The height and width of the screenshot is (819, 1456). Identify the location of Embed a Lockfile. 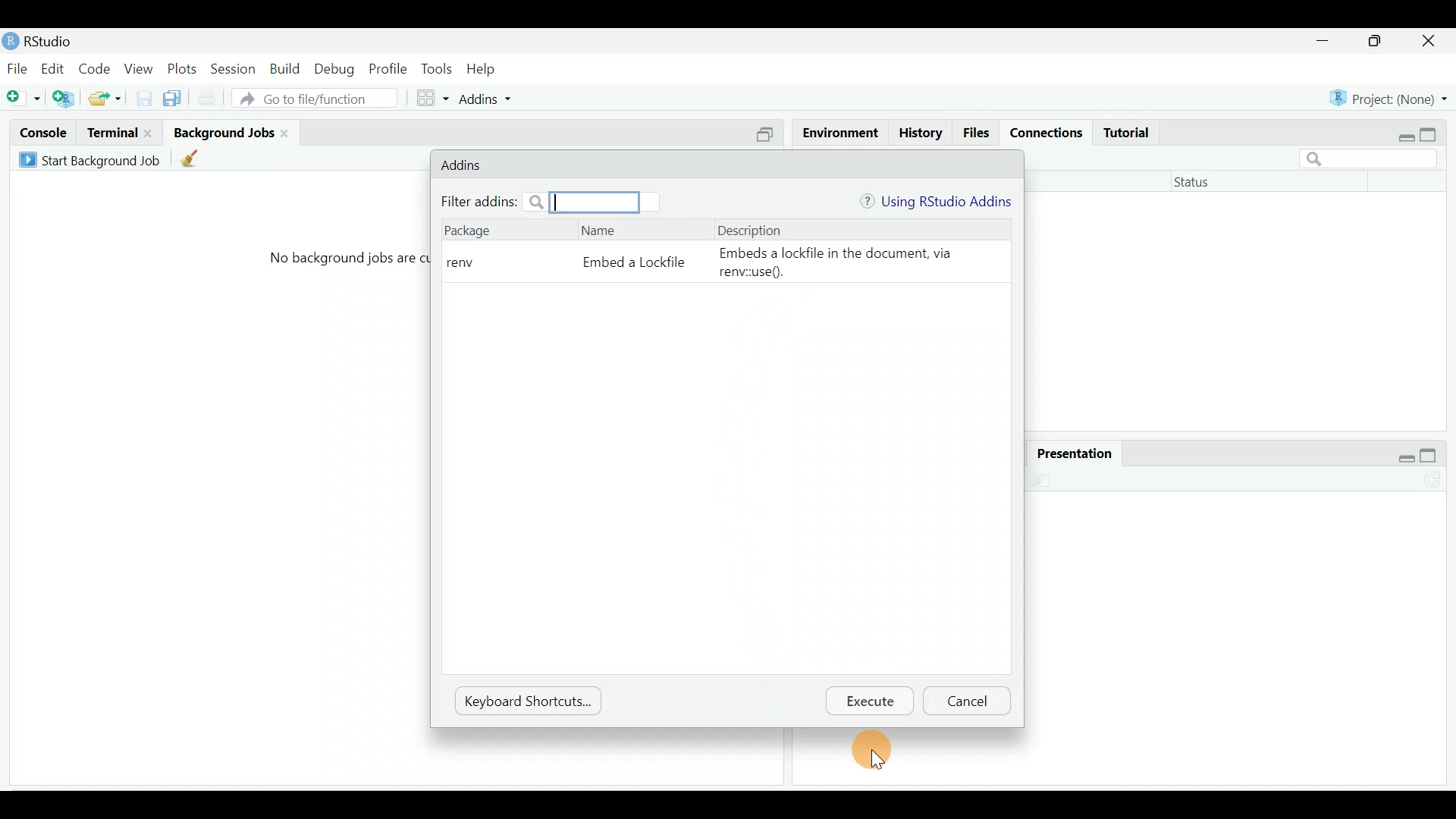
(629, 268).